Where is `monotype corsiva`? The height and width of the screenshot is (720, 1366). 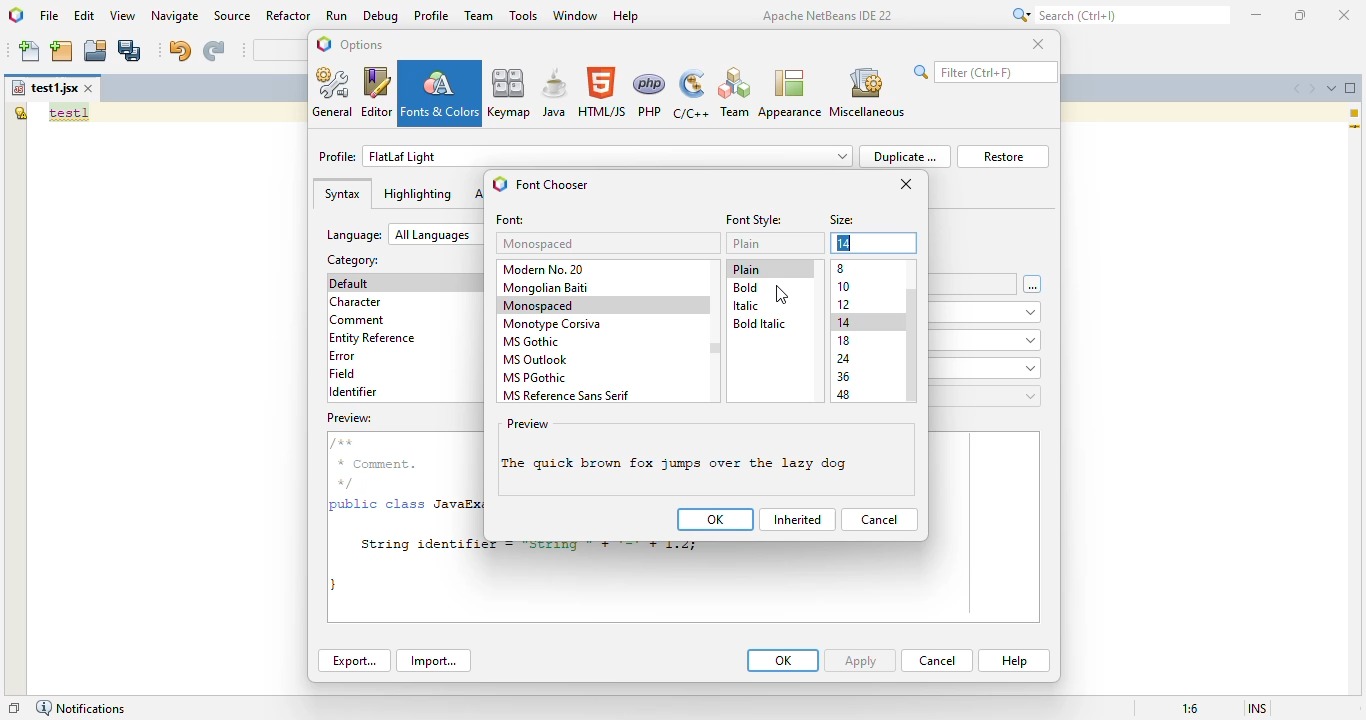
monotype corsiva is located at coordinates (552, 324).